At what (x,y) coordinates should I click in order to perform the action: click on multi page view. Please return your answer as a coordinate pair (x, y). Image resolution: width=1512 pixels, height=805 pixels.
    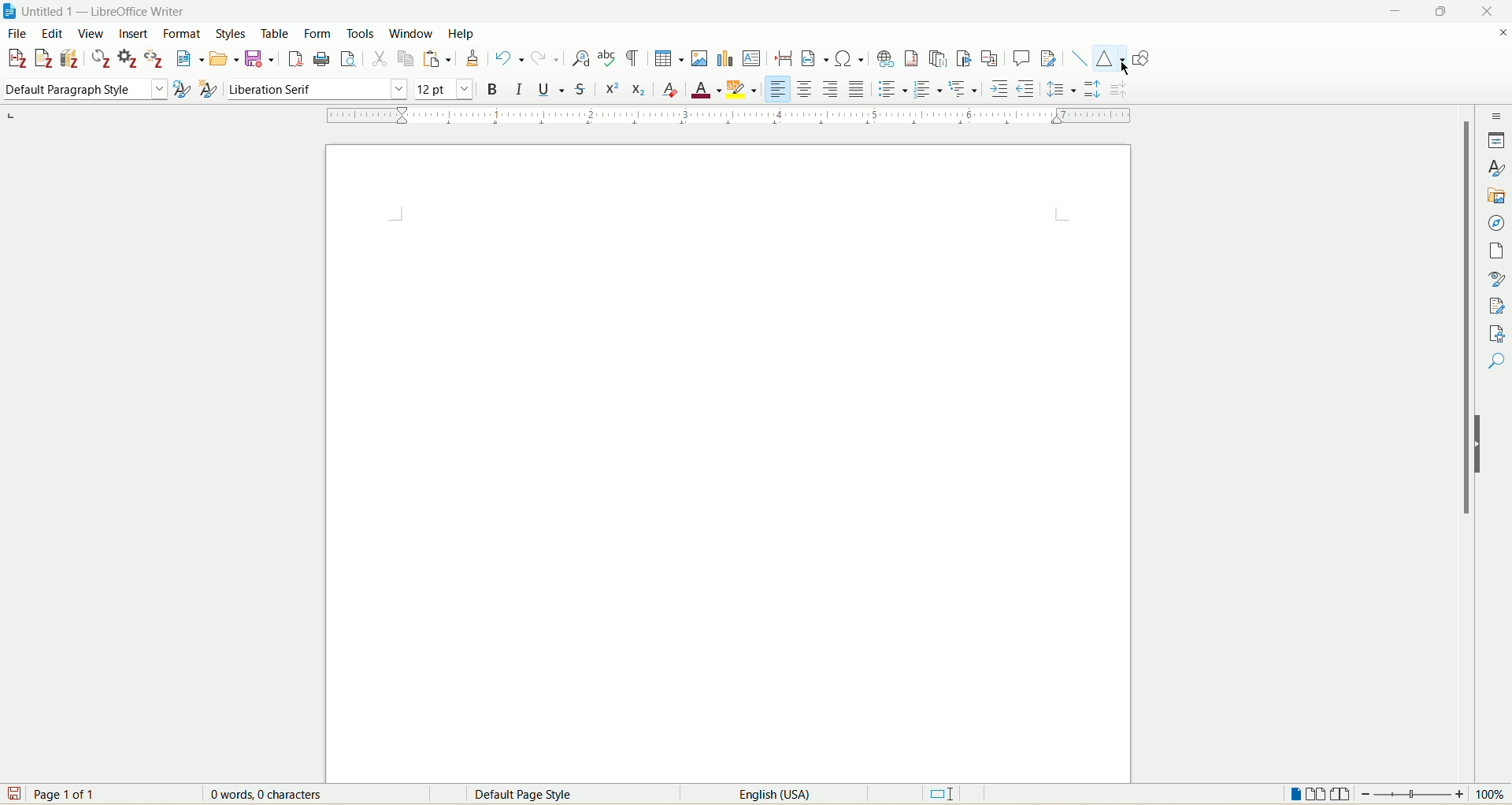
    Looking at the image, I should click on (1317, 793).